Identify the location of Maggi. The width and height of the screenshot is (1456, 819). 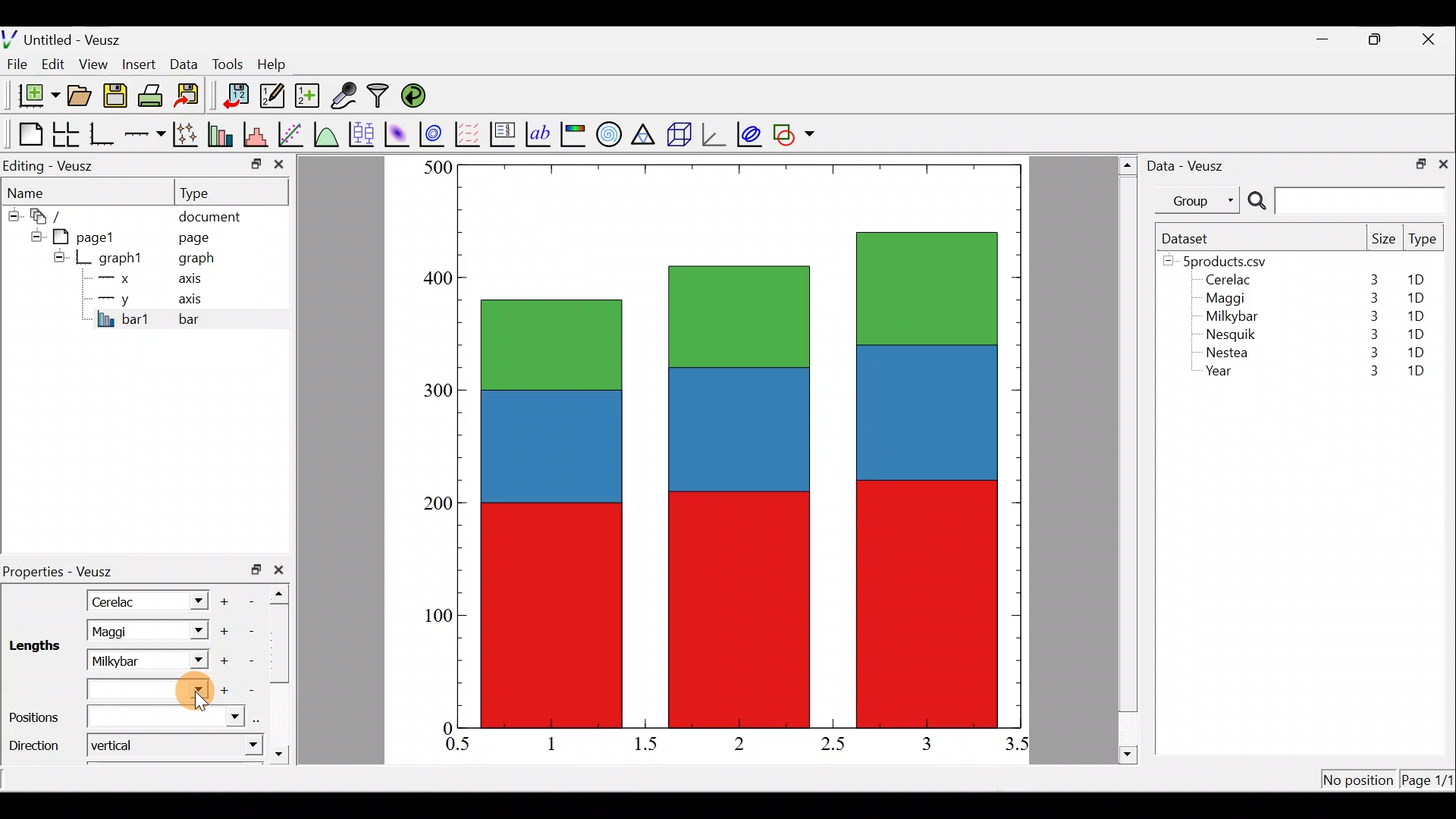
(127, 631).